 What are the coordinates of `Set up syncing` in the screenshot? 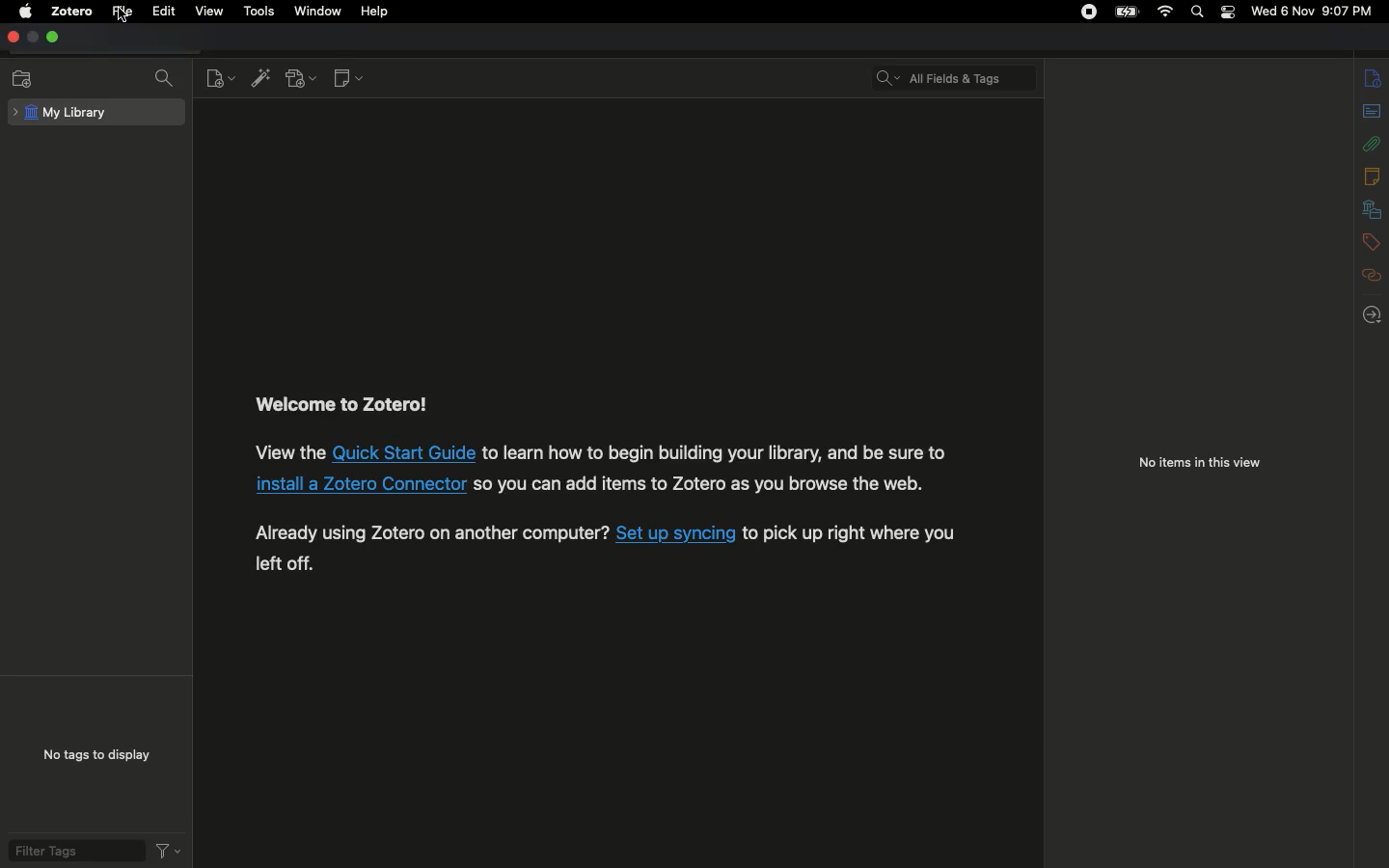 It's located at (676, 533).